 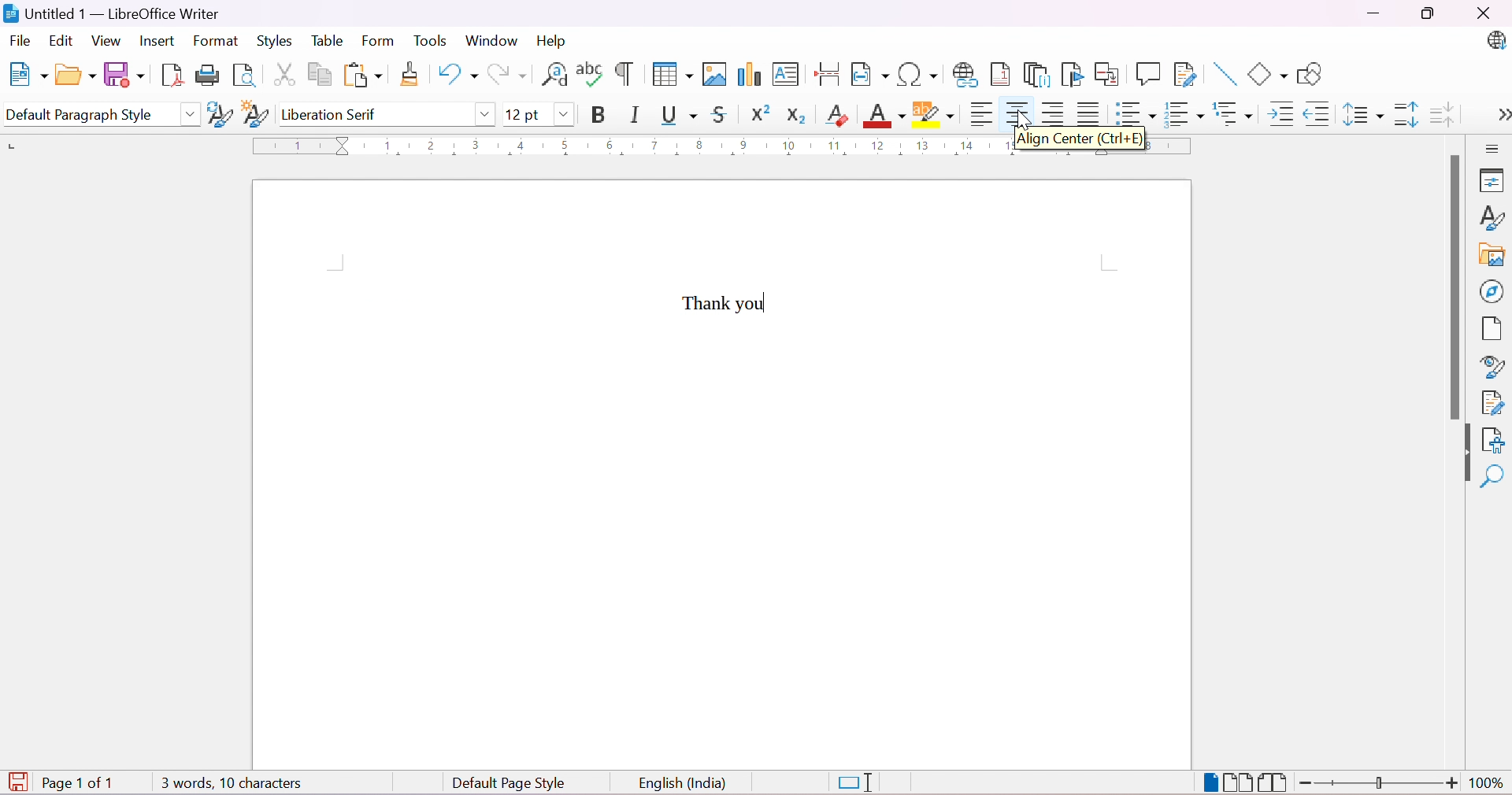 I want to click on Default Paragraph Style, so click(x=86, y=115).